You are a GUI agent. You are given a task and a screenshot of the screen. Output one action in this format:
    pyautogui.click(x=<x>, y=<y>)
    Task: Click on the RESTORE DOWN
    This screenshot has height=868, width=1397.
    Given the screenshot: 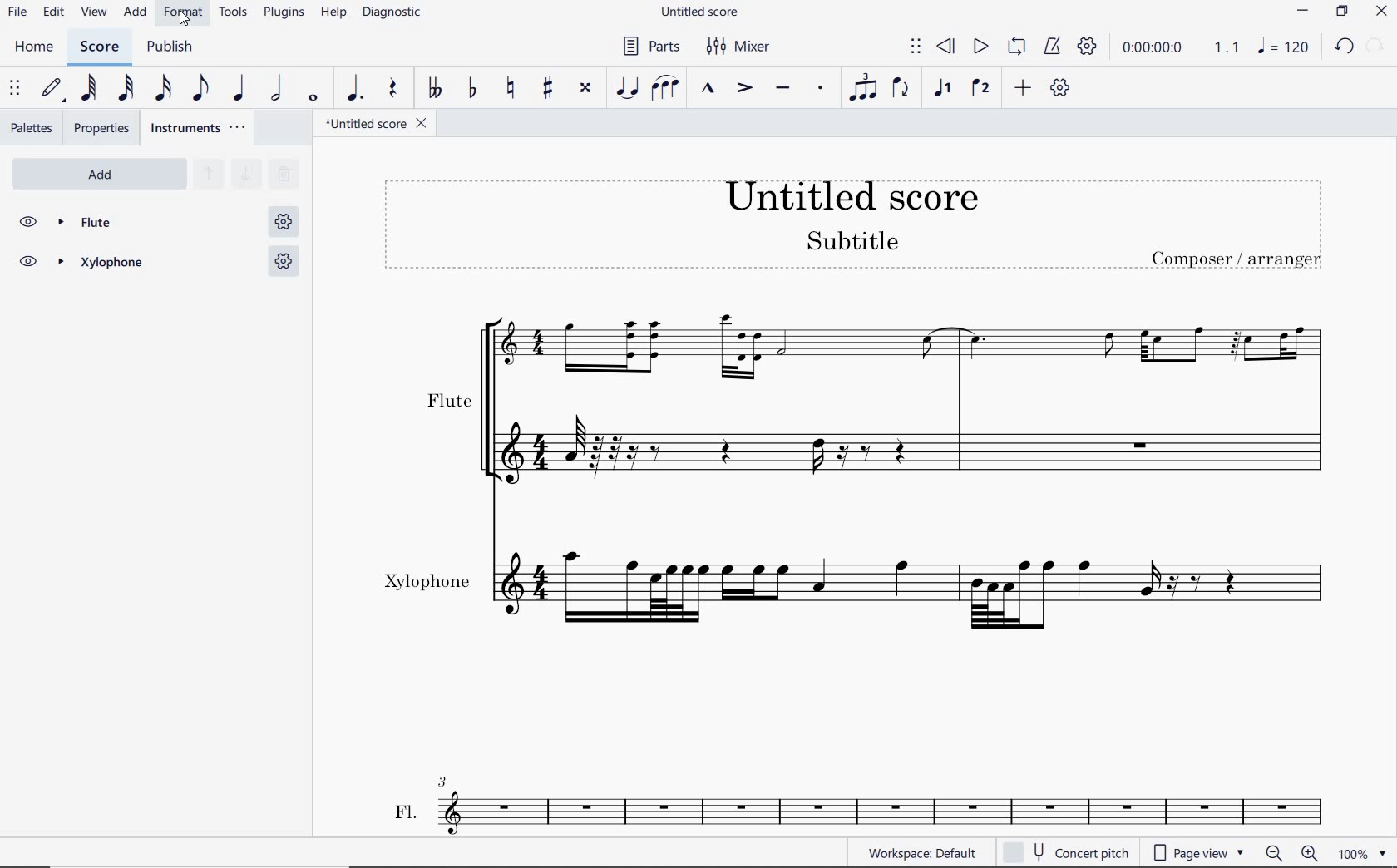 What is the action you would take?
    pyautogui.click(x=1341, y=12)
    